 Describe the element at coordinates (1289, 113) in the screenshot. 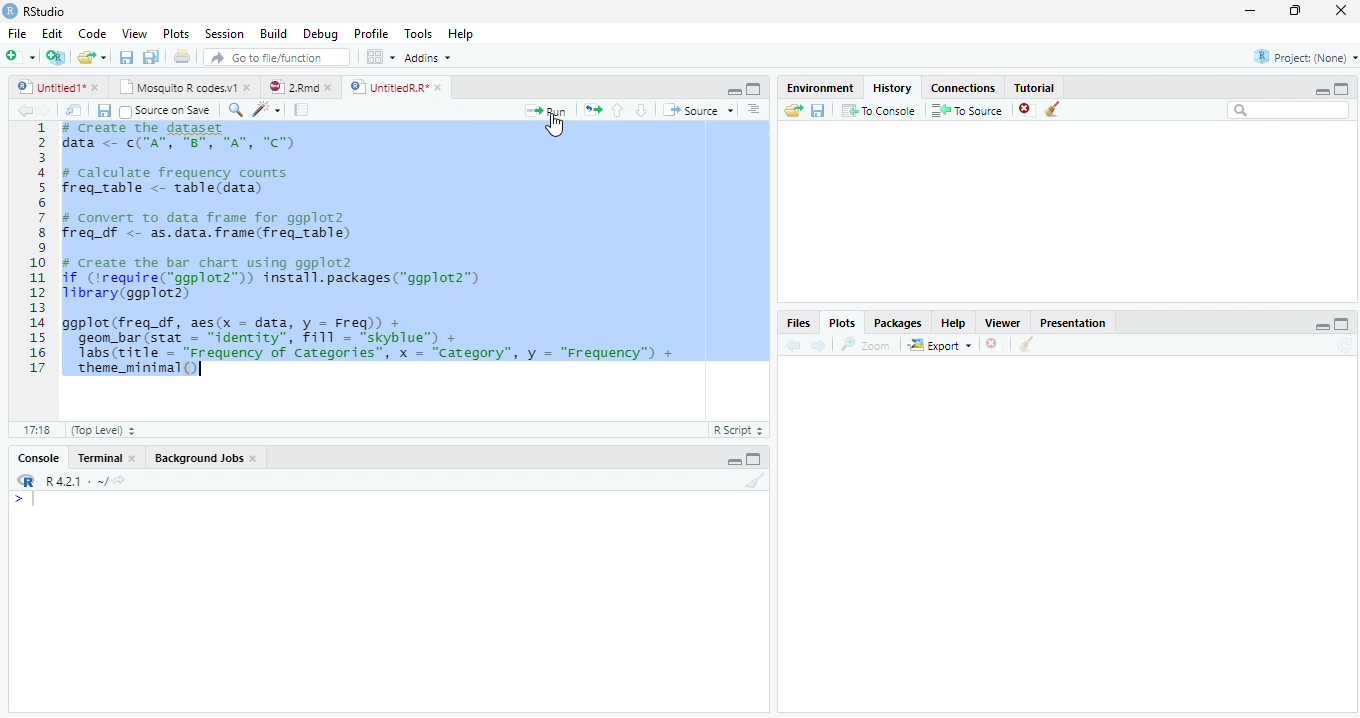

I see `Search` at that location.